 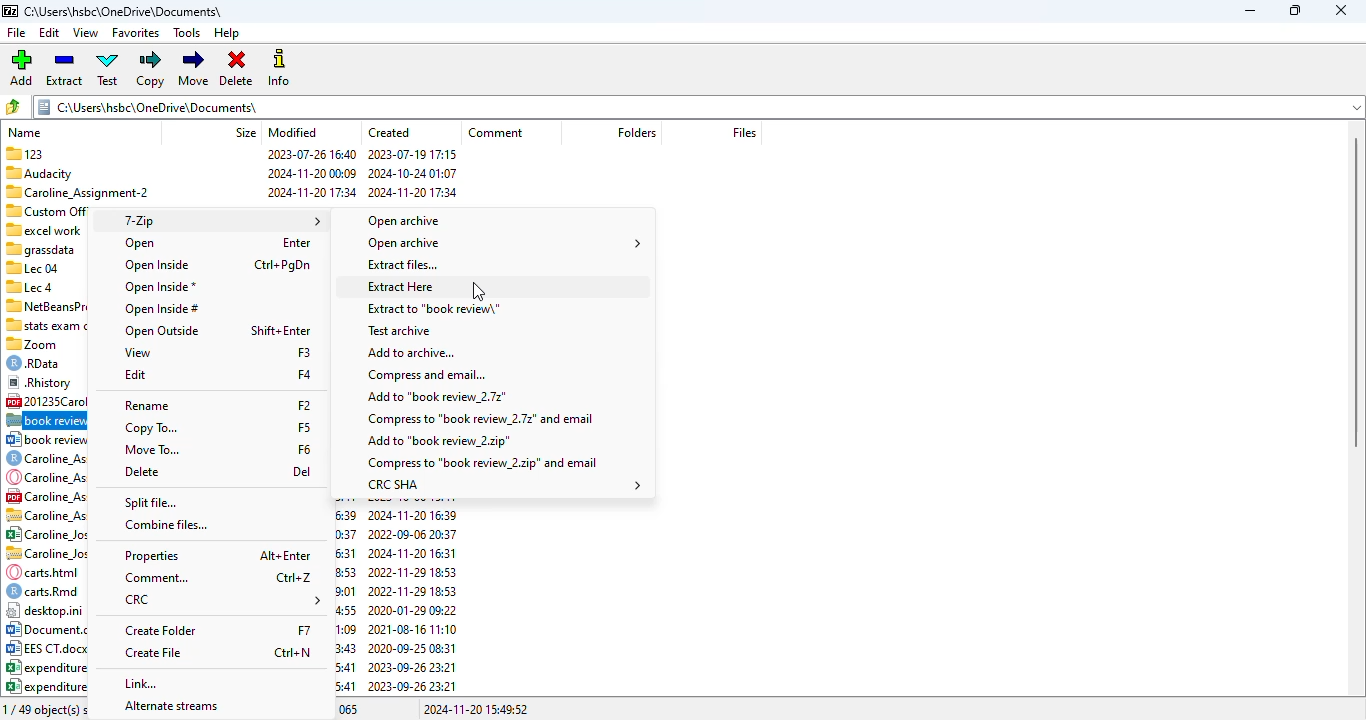 I want to click on info, so click(x=280, y=68).